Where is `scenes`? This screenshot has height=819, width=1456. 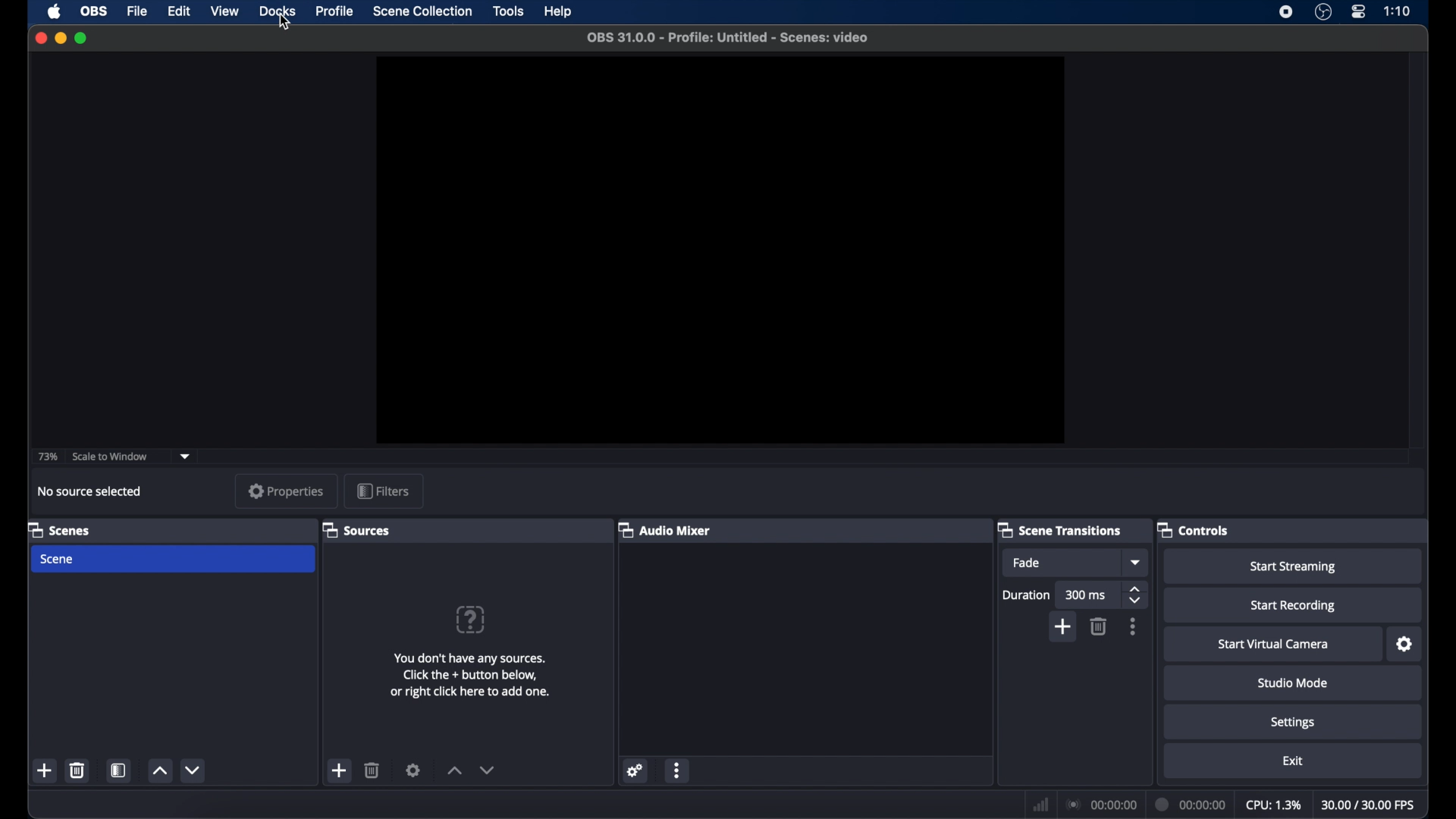
scenes is located at coordinates (58, 529).